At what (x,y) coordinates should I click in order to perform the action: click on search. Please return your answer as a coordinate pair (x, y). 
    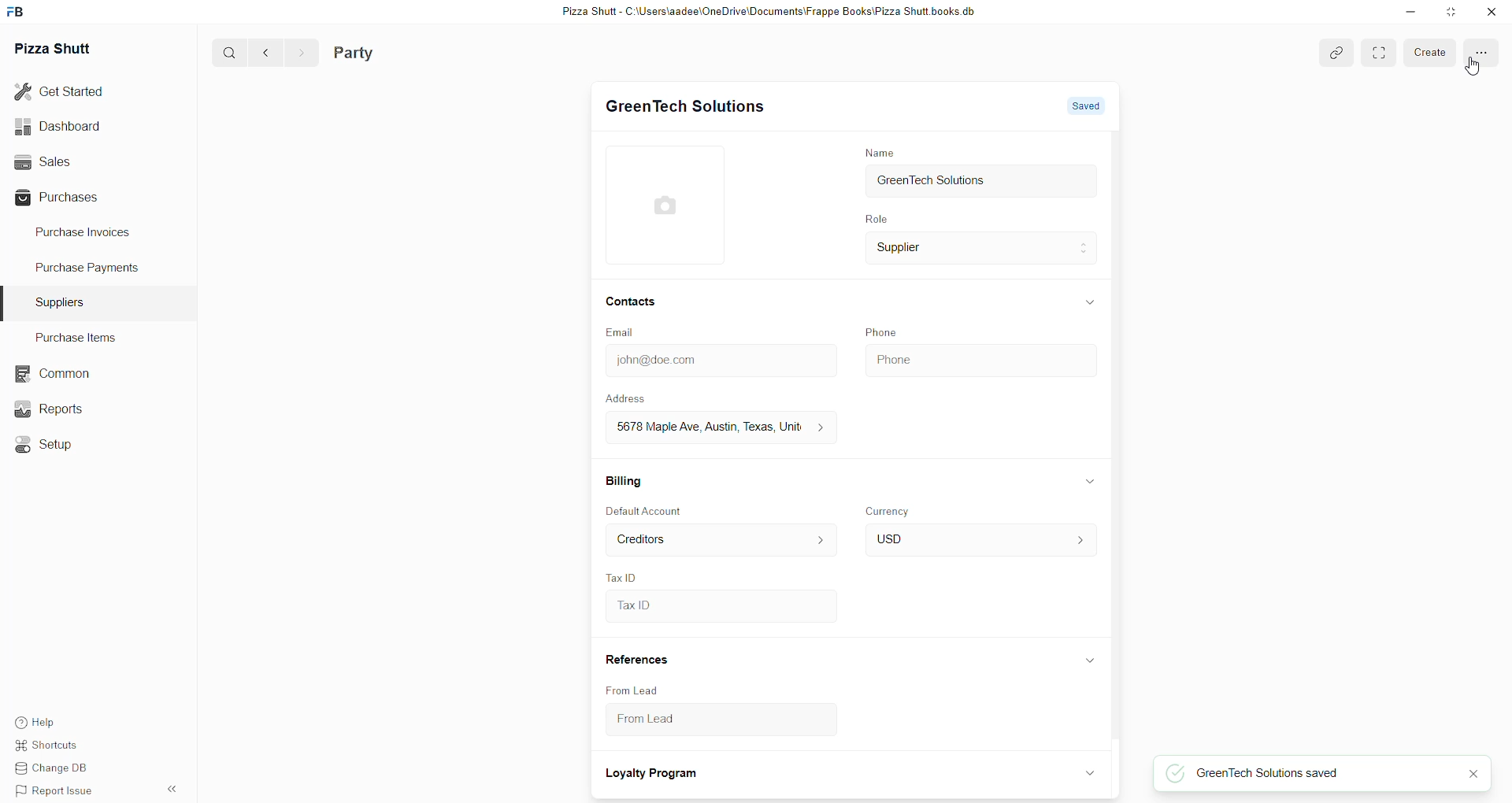
    Looking at the image, I should click on (224, 54).